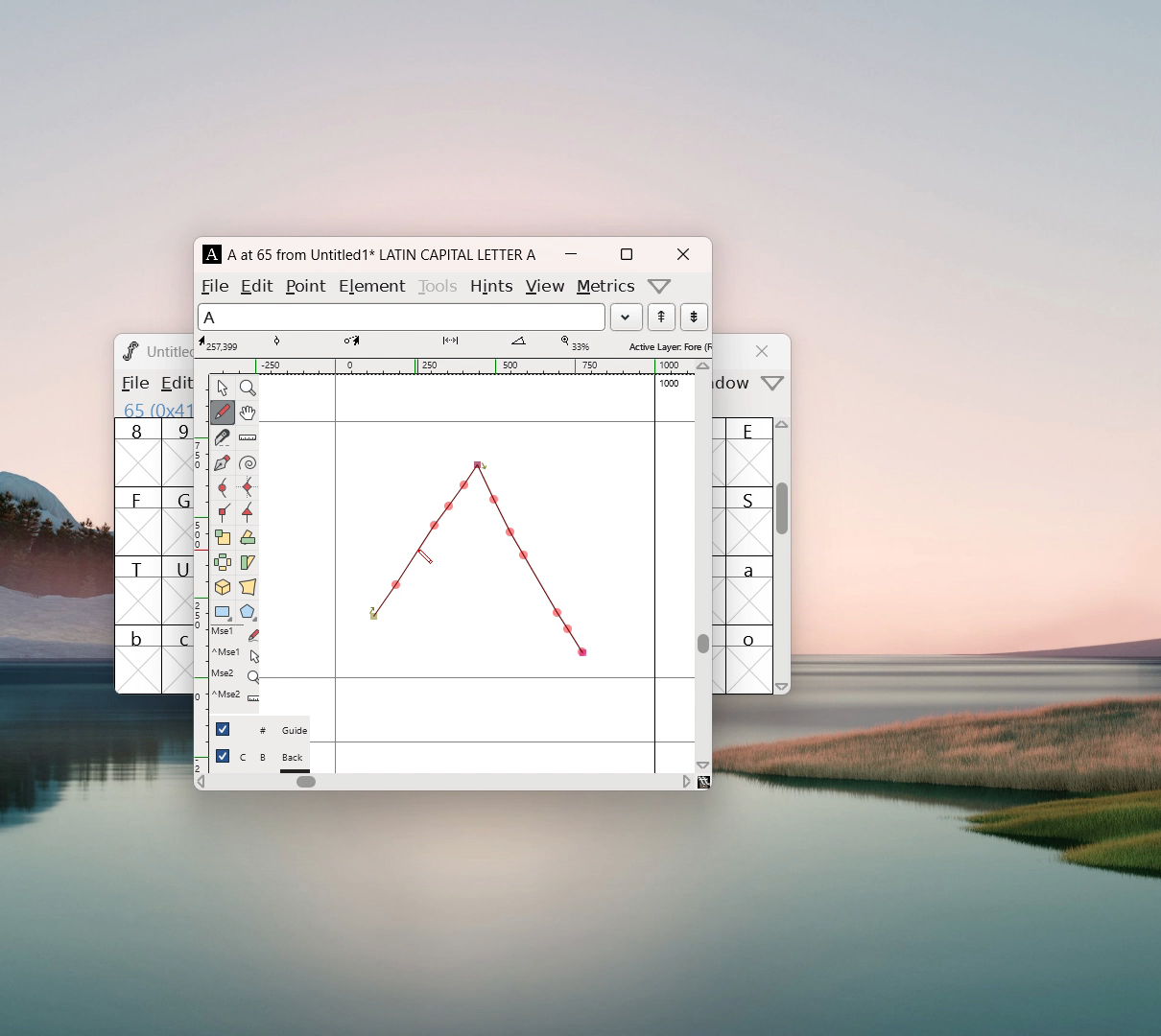  I want to click on 65 (0x41, so click(154, 409).